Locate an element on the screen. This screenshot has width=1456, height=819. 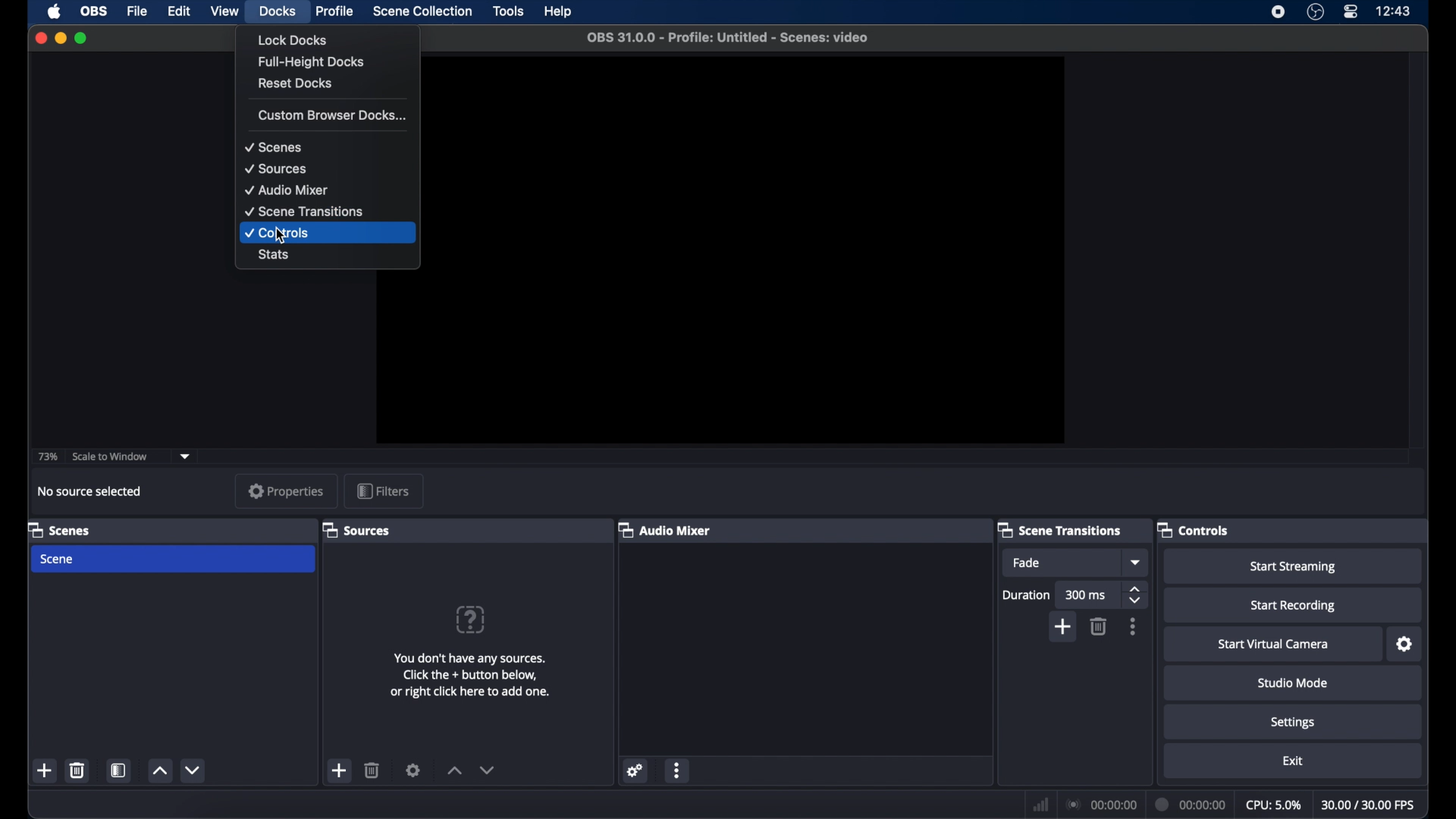
scene transitions is located at coordinates (306, 212).